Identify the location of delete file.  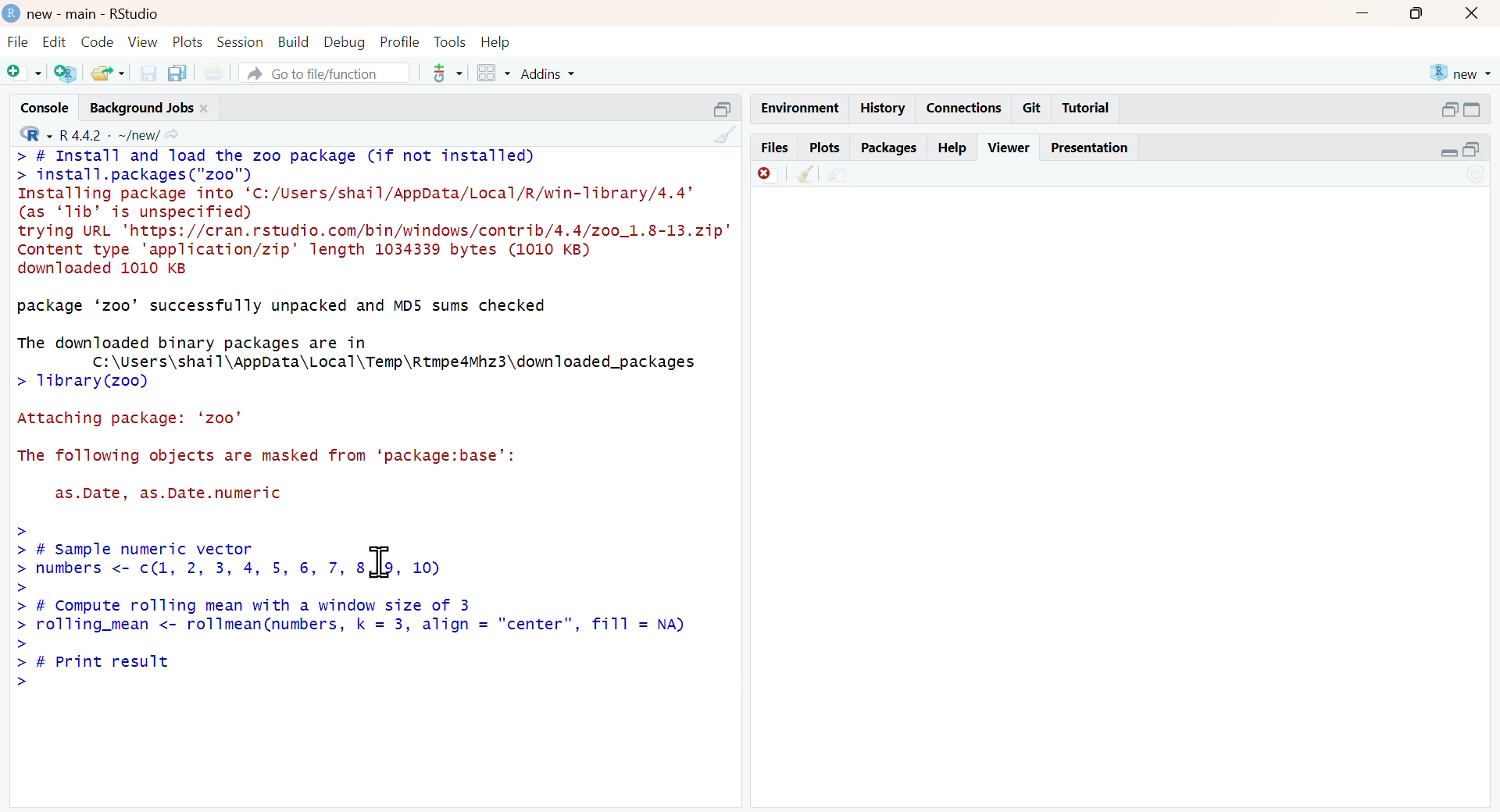
(768, 175).